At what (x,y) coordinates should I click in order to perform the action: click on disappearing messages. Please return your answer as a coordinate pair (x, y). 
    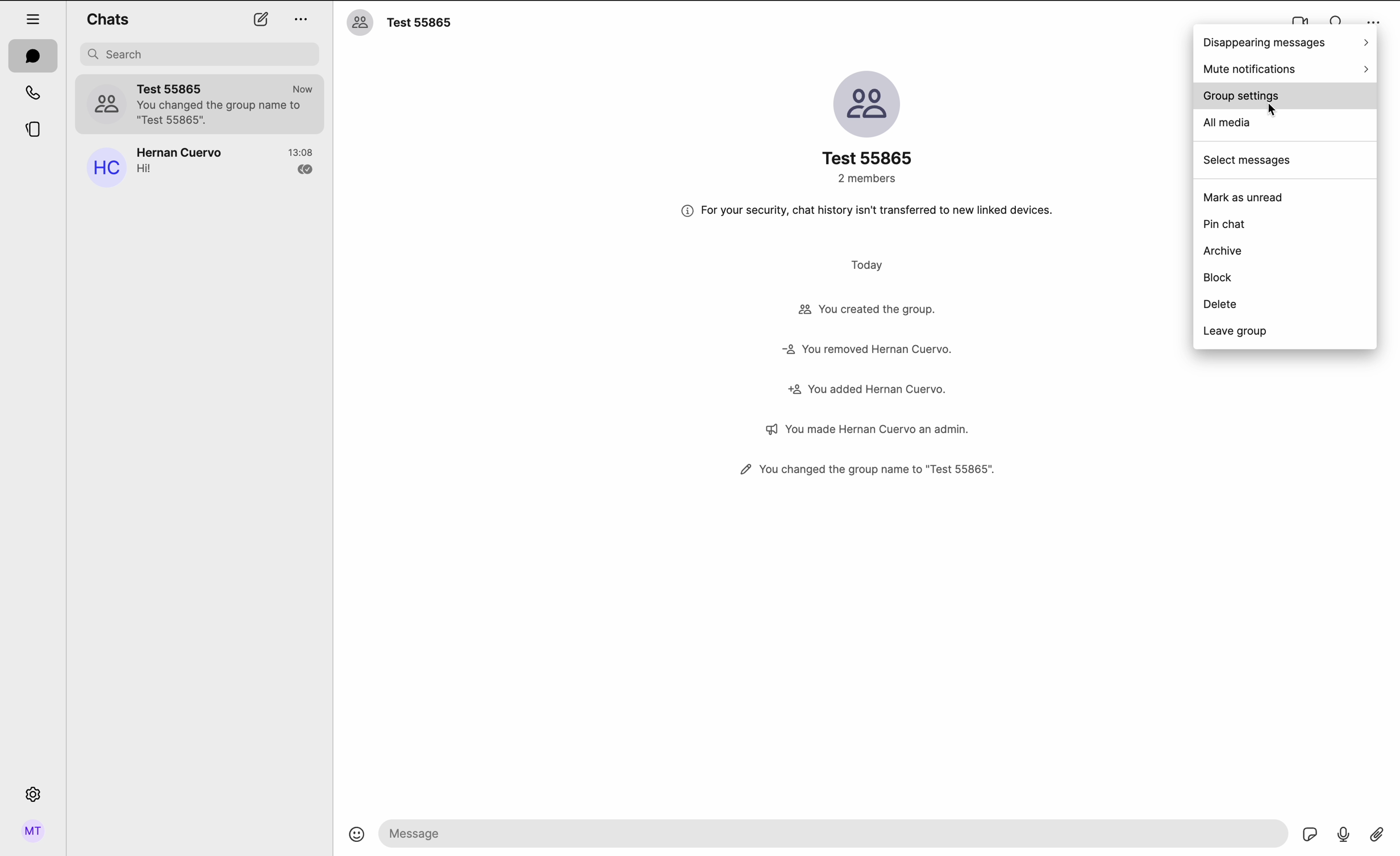
    Looking at the image, I should click on (1287, 41).